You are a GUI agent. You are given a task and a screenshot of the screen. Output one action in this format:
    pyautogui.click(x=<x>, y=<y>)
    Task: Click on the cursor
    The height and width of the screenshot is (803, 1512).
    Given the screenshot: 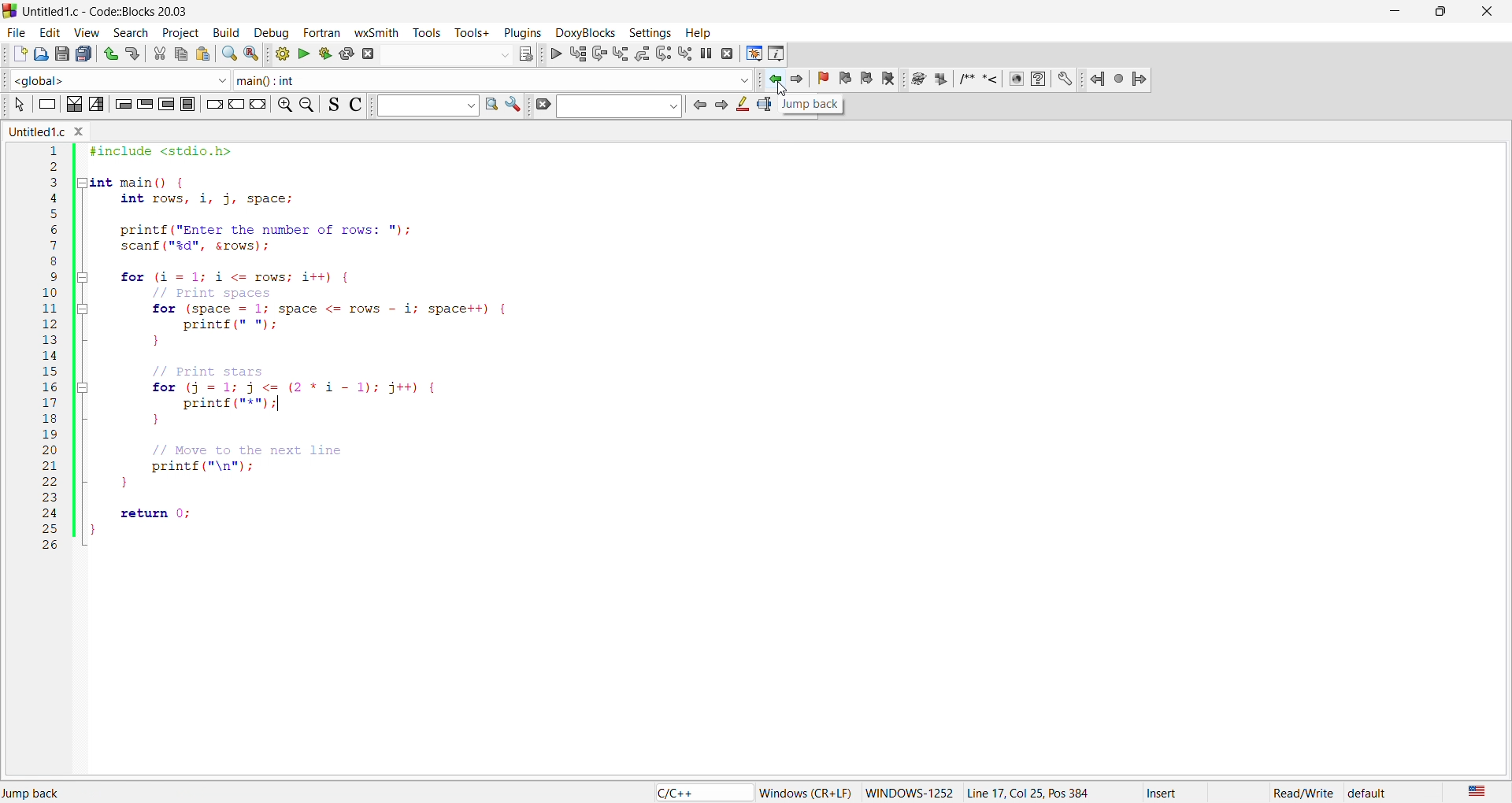 What is the action you would take?
    pyautogui.click(x=784, y=91)
    